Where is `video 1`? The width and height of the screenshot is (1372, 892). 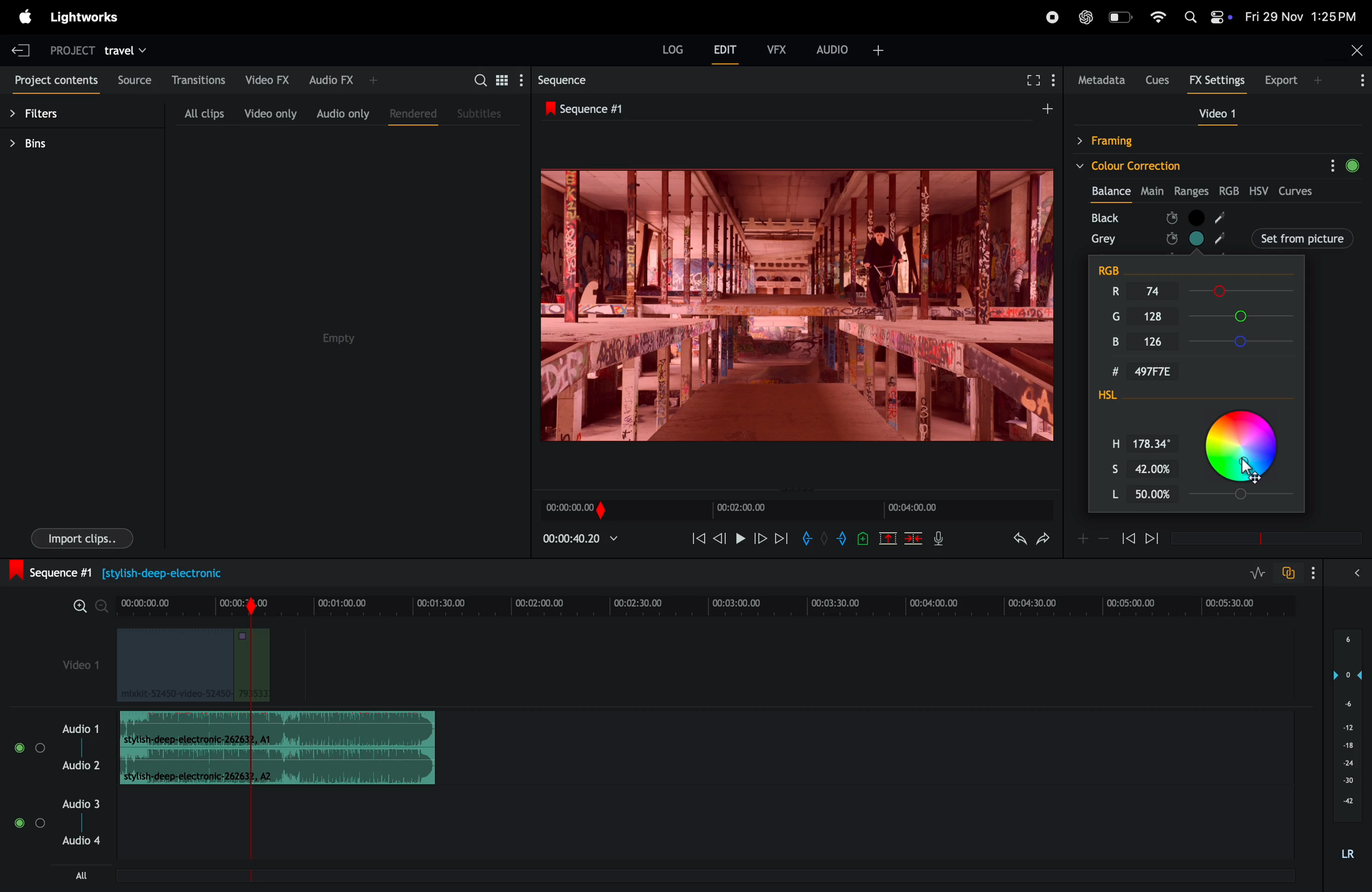
video 1 is located at coordinates (1213, 113).